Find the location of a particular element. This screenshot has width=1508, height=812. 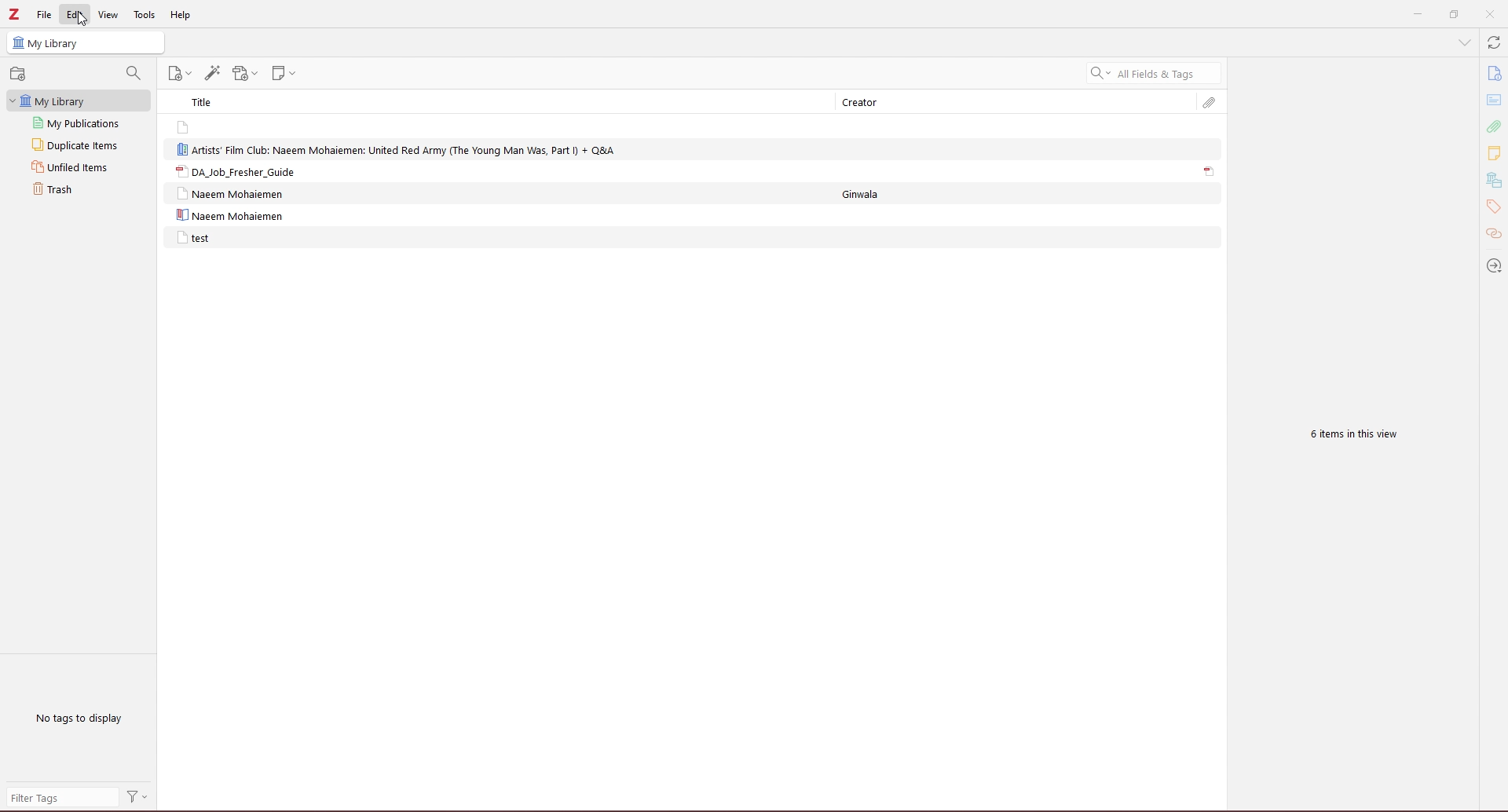

test is located at coordinates (193, 238).